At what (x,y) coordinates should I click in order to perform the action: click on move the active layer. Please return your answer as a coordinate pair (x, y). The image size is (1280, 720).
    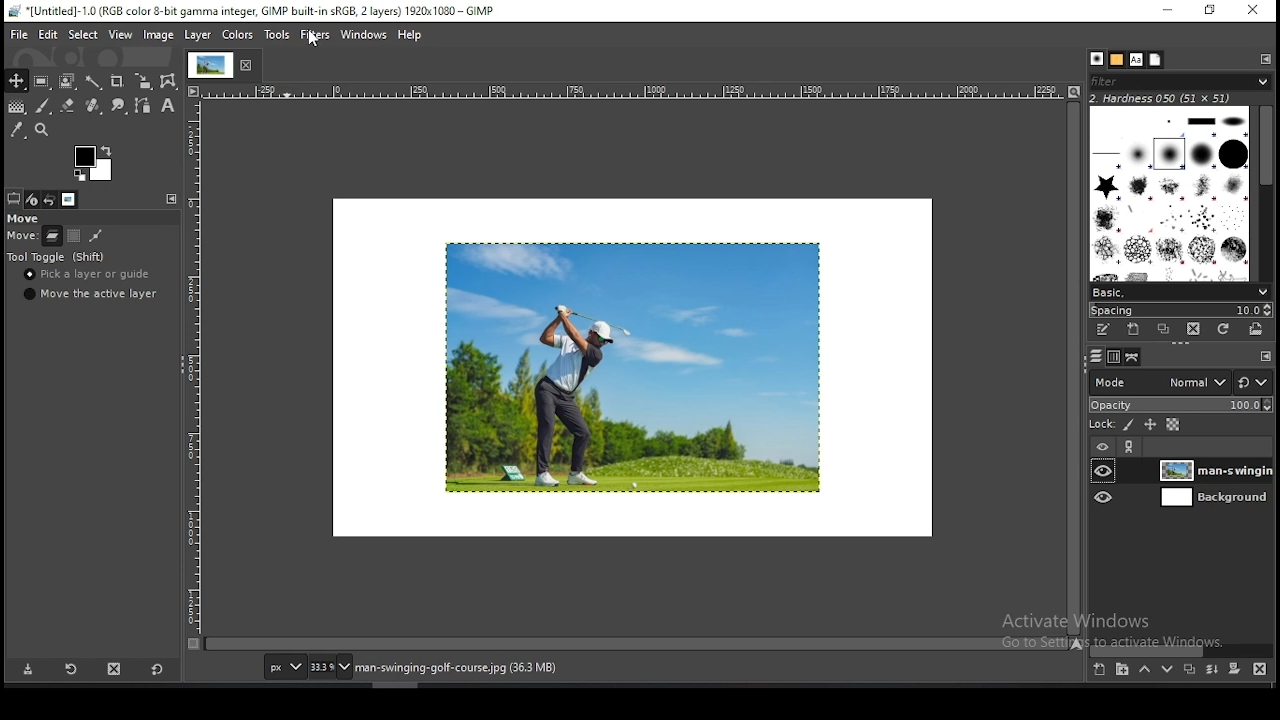
    Looking at the image, I should click on (92, 294).